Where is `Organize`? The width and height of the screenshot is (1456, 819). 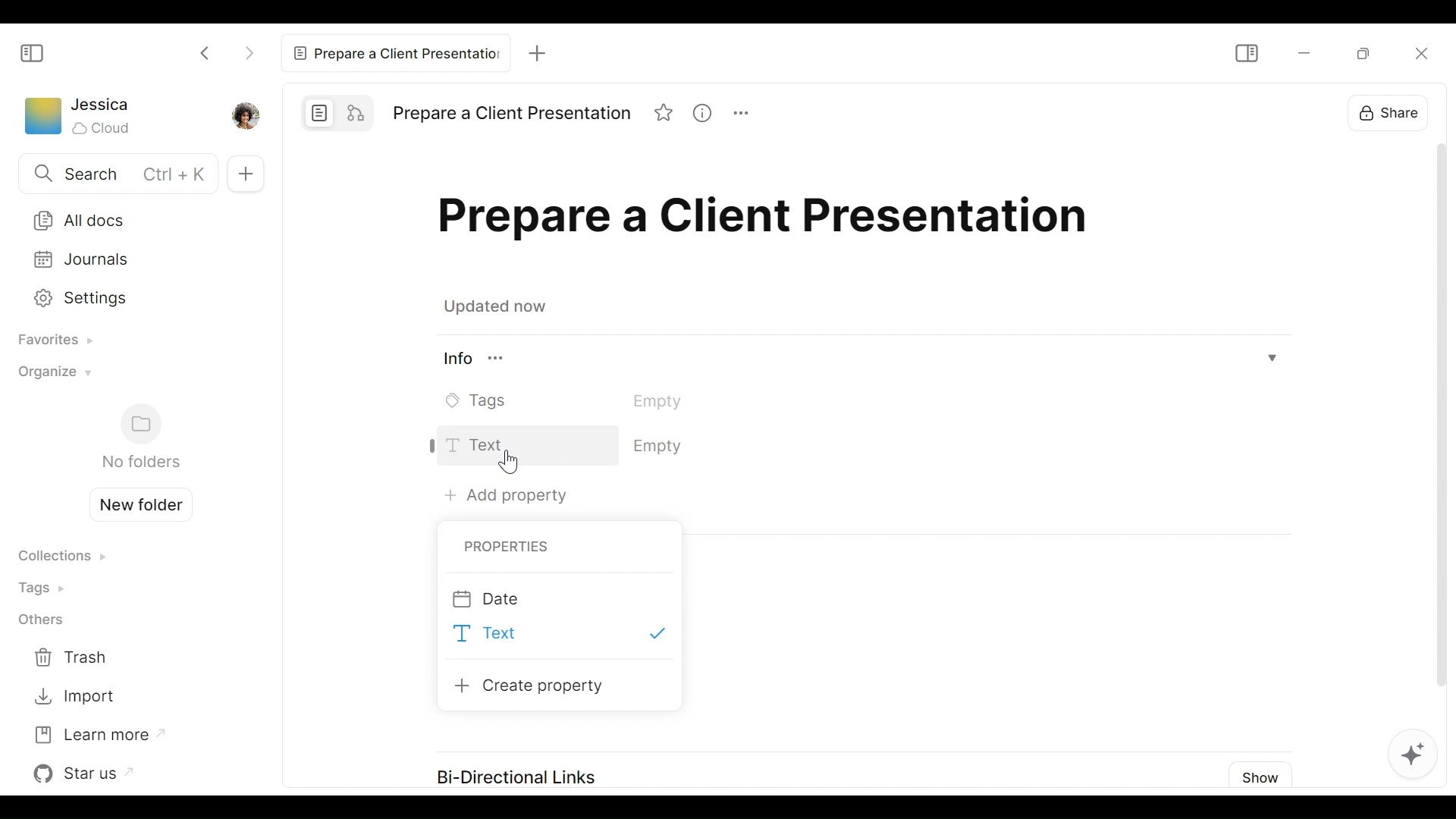 Organize is located at coordinates (51, 376).